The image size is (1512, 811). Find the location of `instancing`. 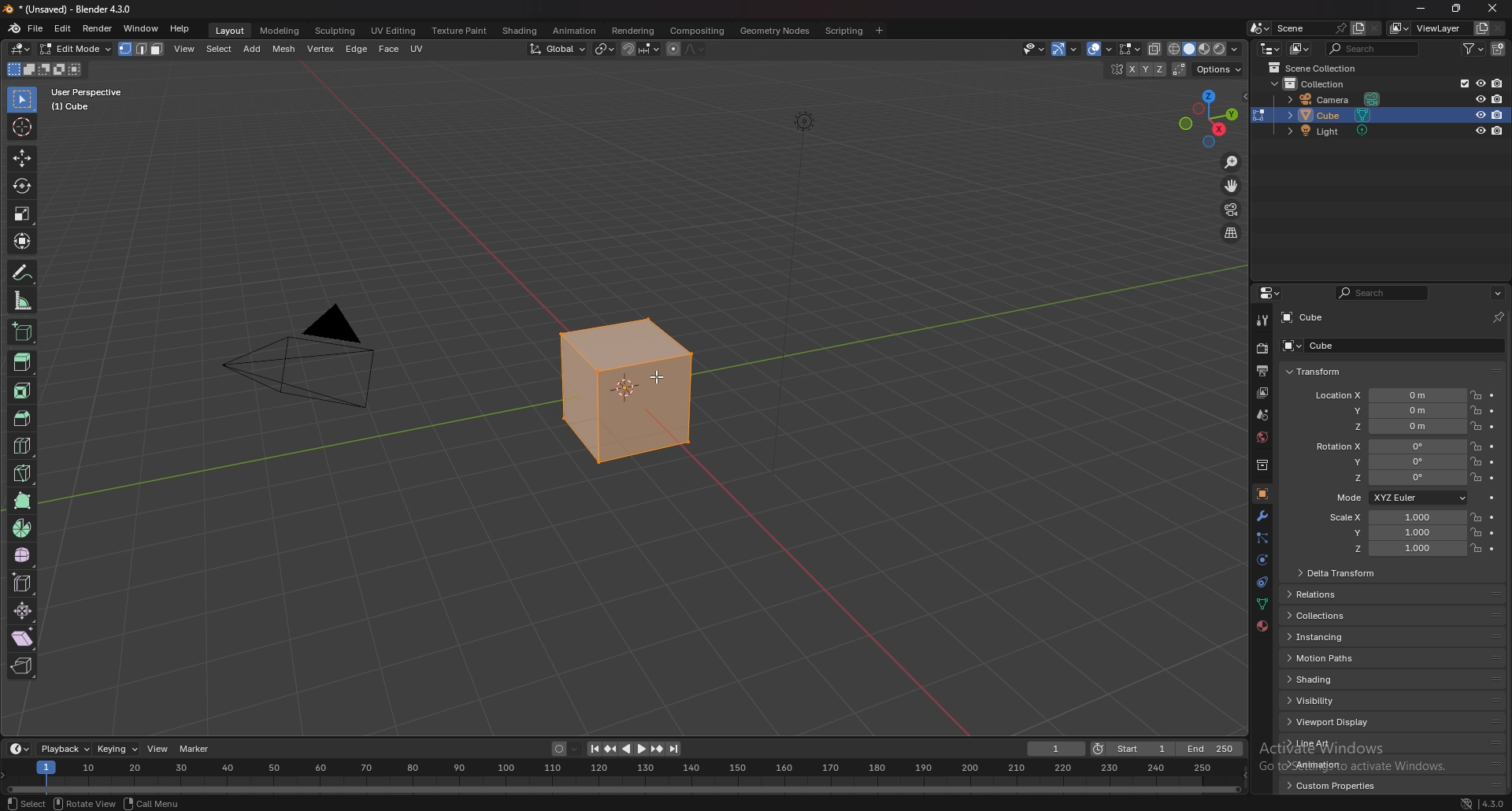

instancing is located at coordinates (1337, 636).